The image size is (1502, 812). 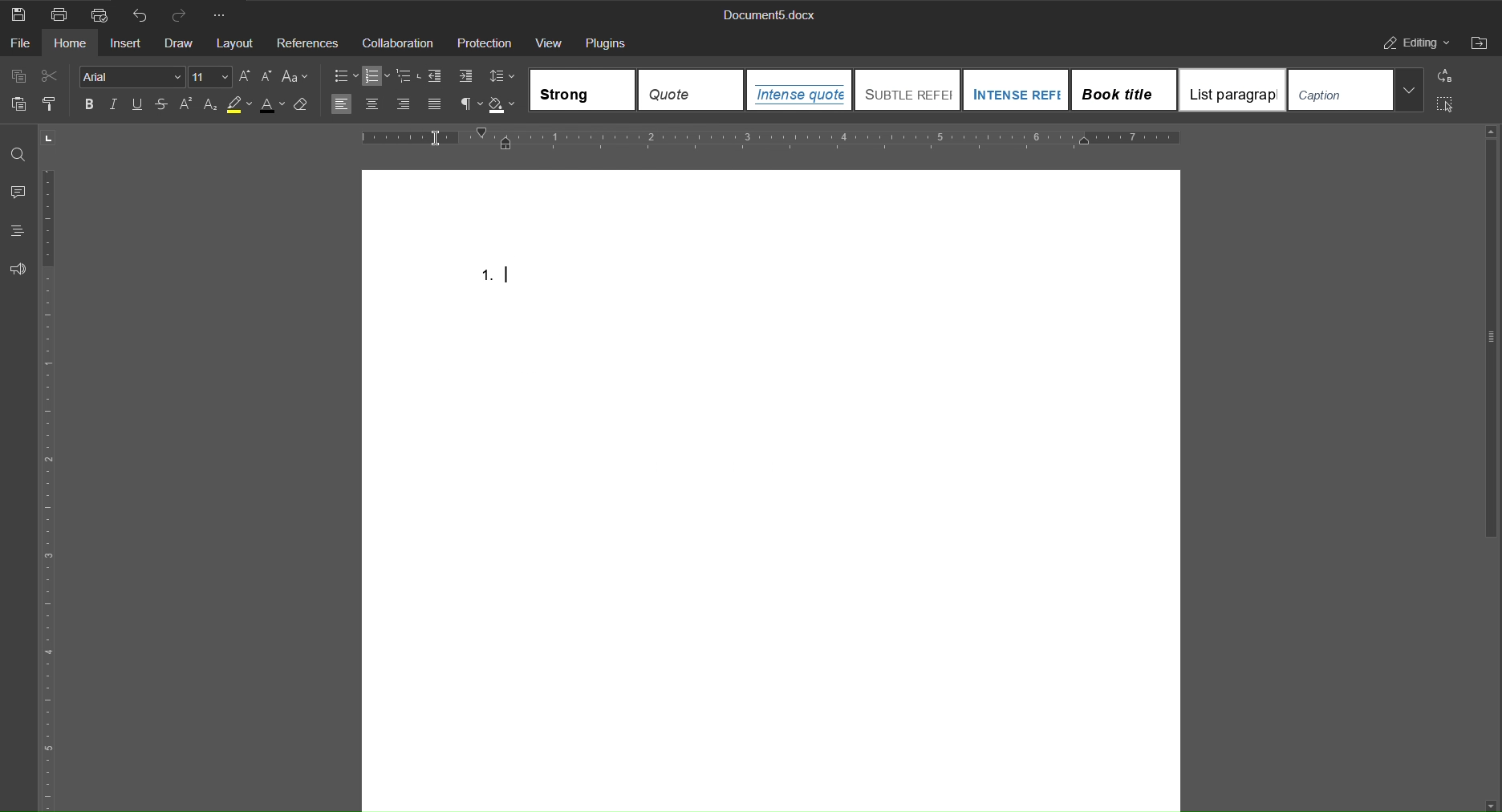 I want to click on Select case, so click(x=298, y=76).